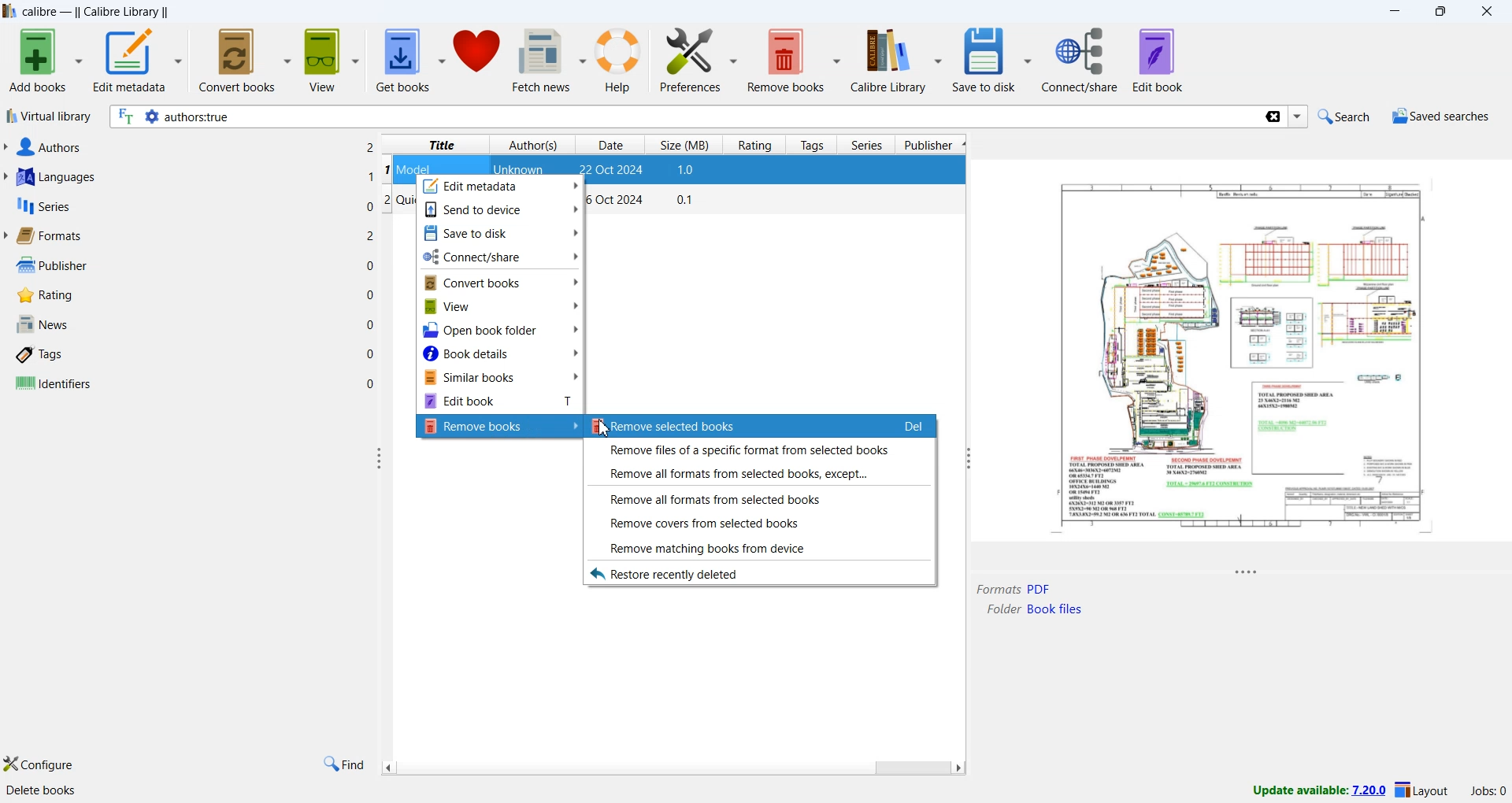  I want to click on get books, so click(410, 61).